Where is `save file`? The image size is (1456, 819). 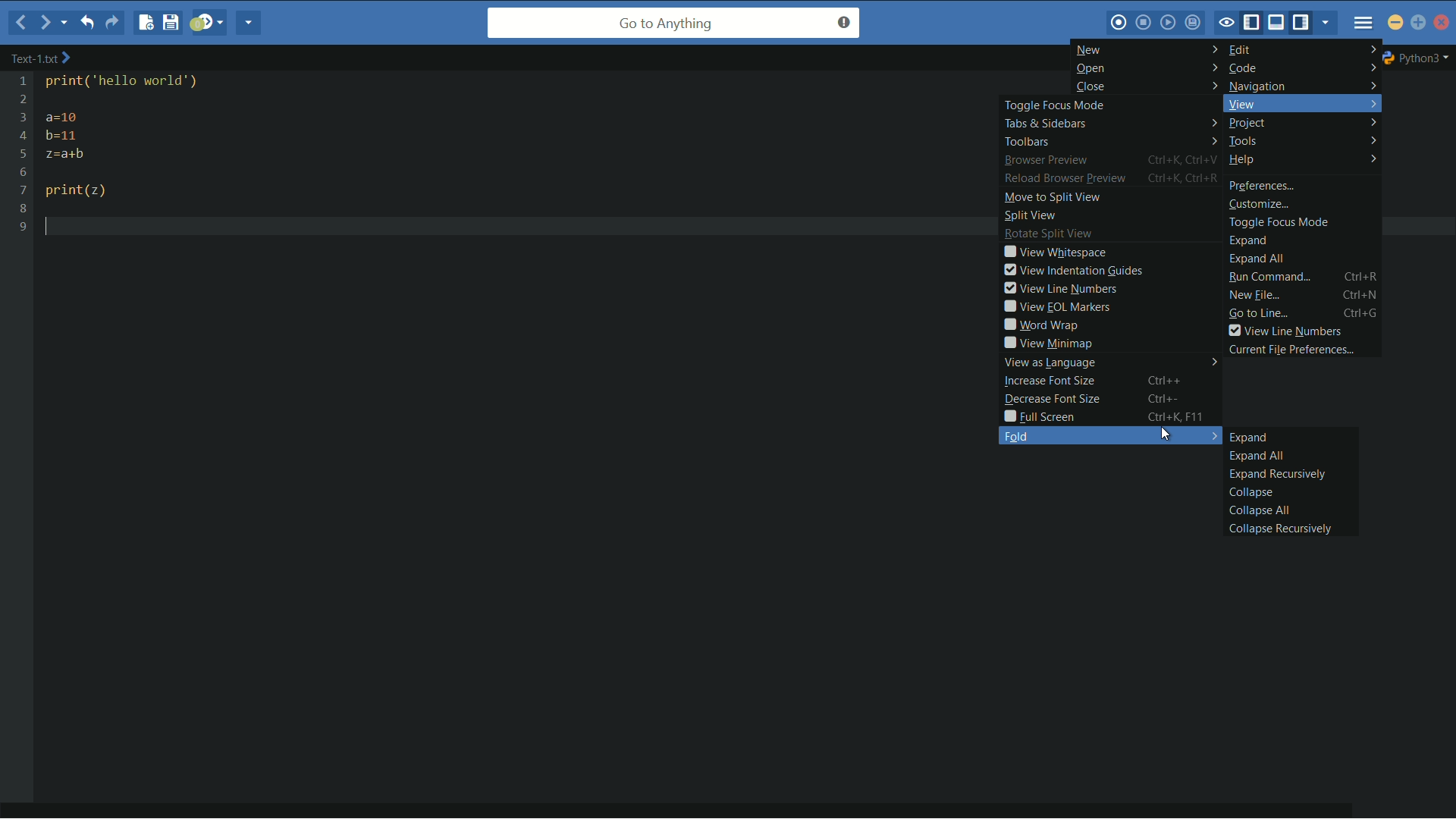
save file is located at coordinates (171, 23).